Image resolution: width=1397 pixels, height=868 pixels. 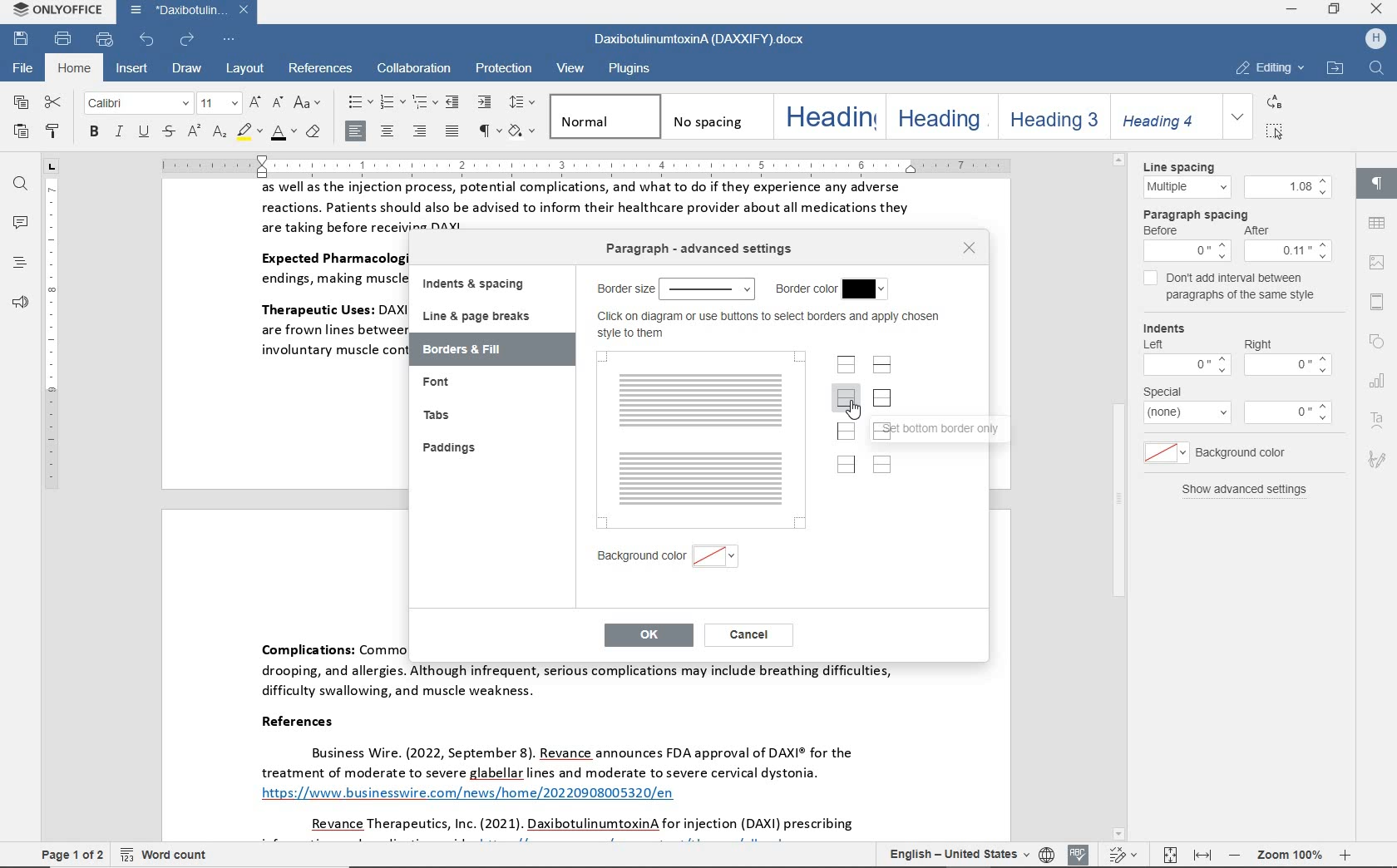 What do you see at coordinates (956, 855) in the screenshot?
I see `text language` at bounding box center [956, 855].